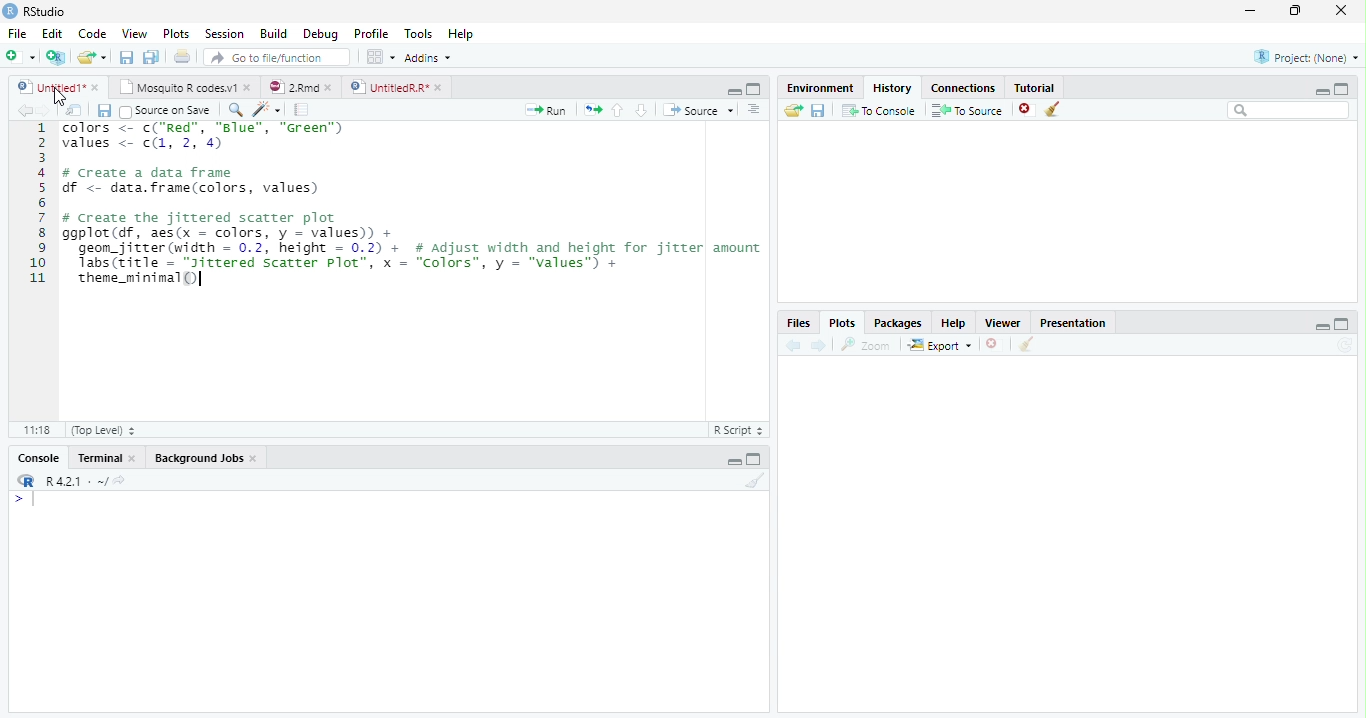  I want to click on Save current document, so click(127, 57).